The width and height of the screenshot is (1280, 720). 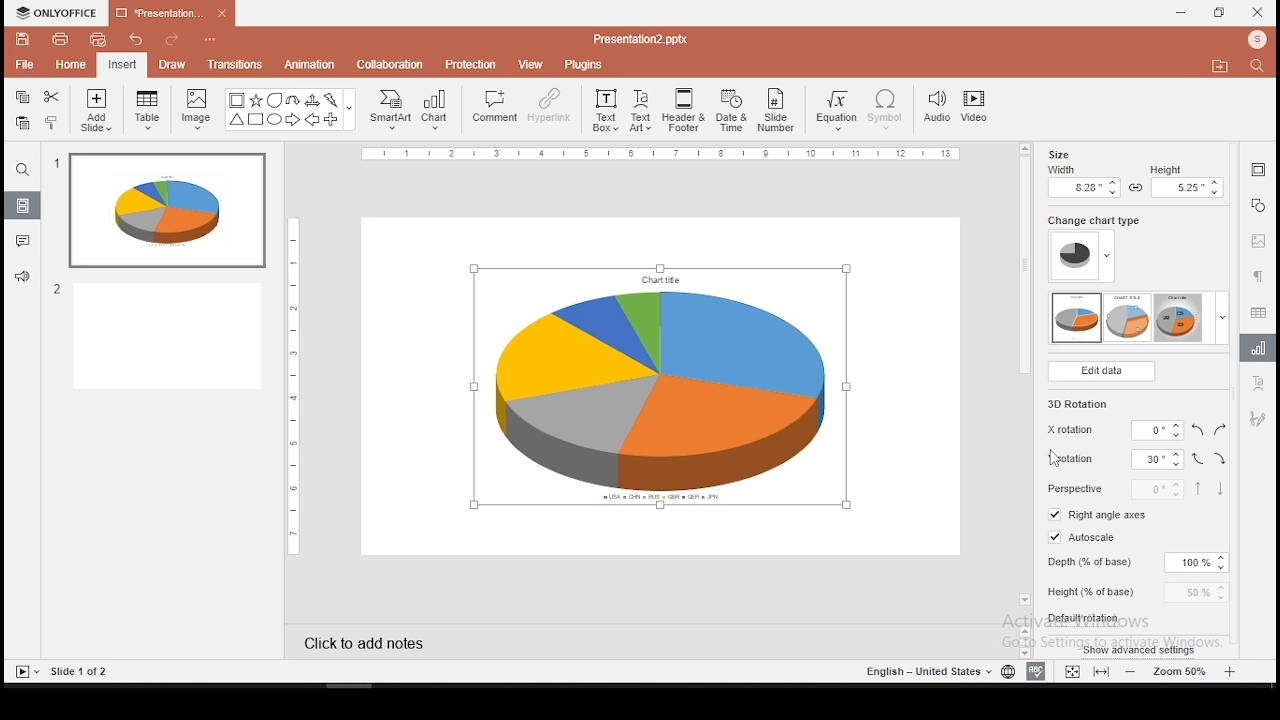 I want to click on more, so click(x=1222, y=317).